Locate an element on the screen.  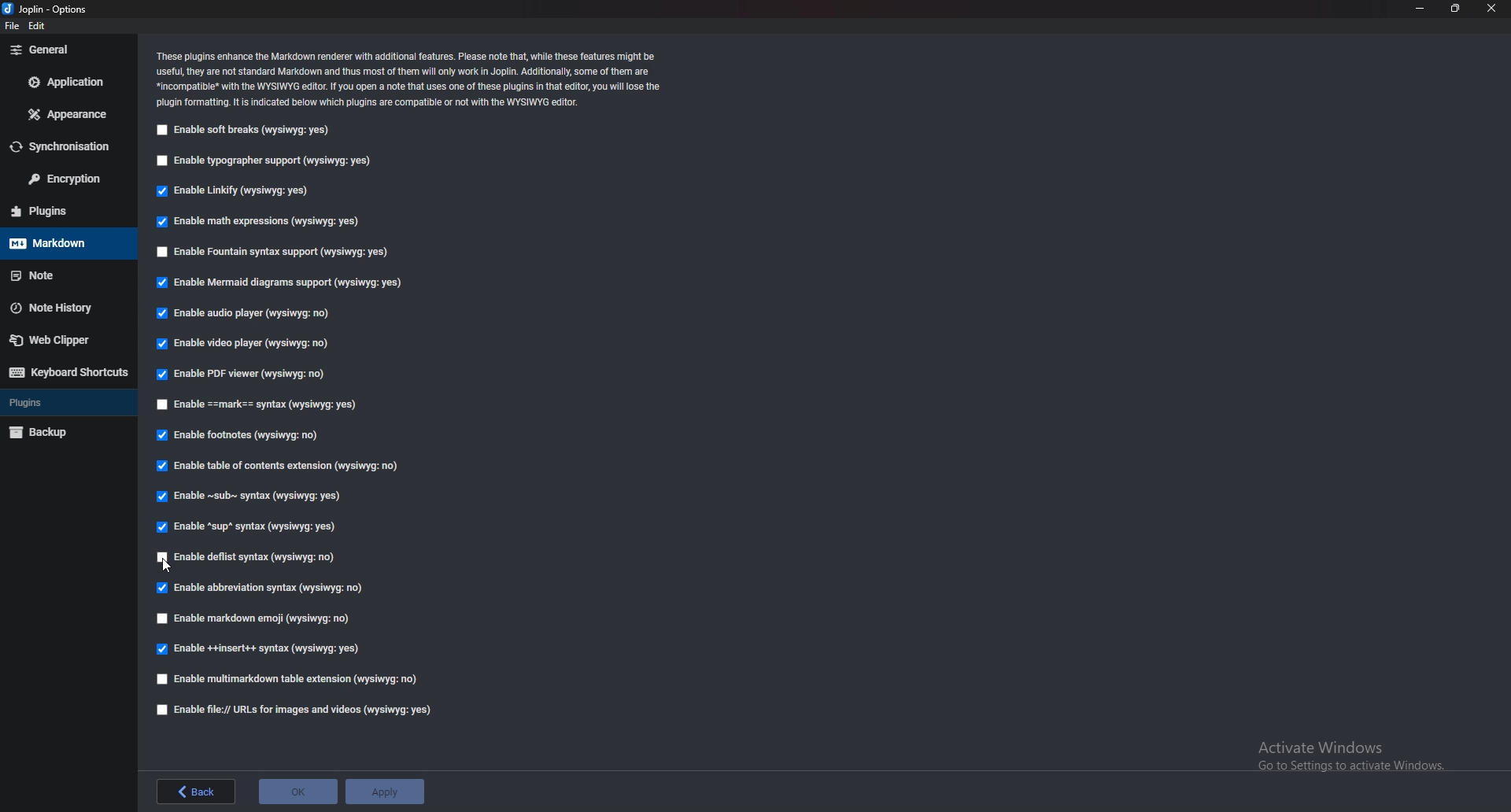
file is located at coordinates (15, 26).